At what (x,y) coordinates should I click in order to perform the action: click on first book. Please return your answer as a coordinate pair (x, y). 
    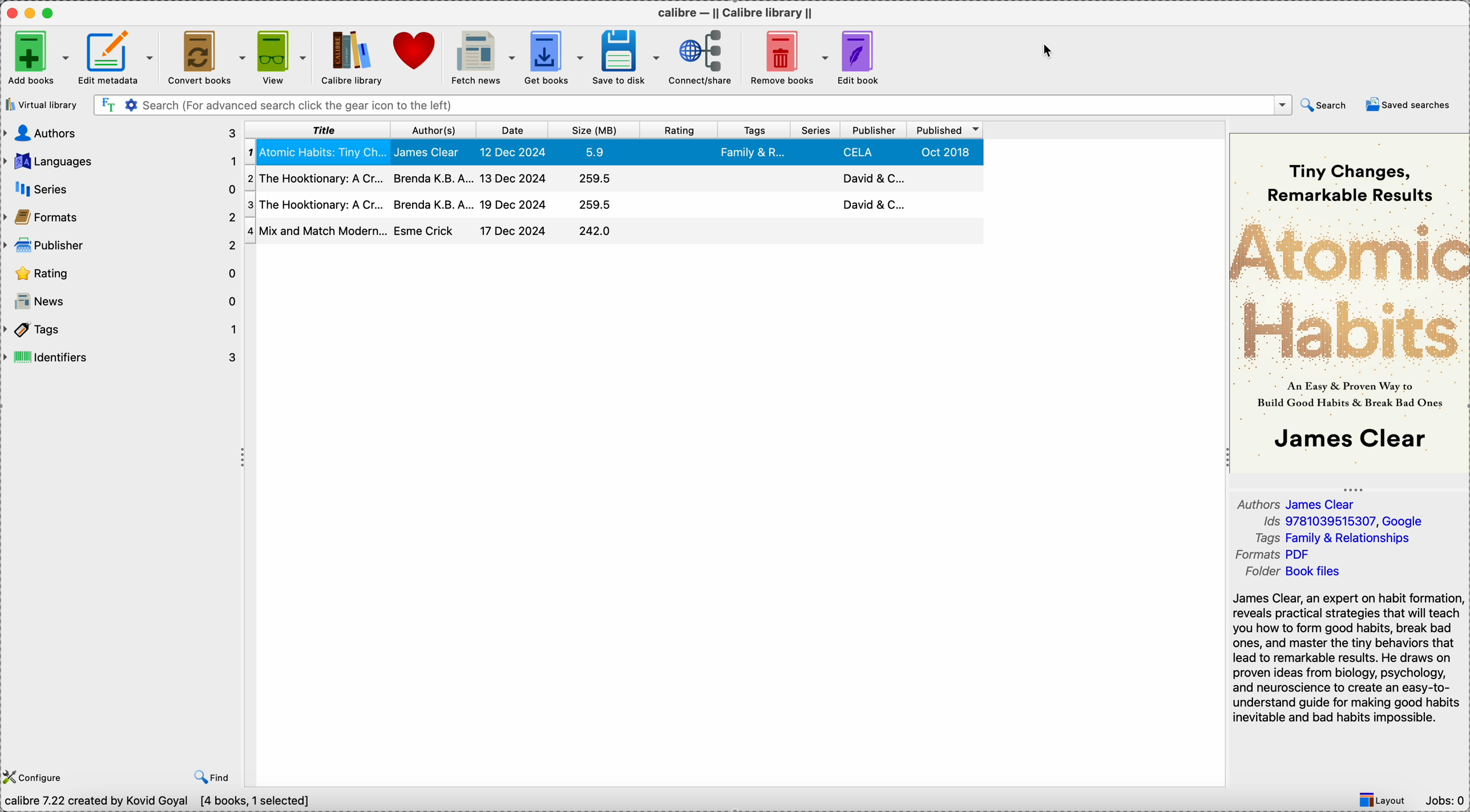
    Looking at the image, I should click on (615, 154).